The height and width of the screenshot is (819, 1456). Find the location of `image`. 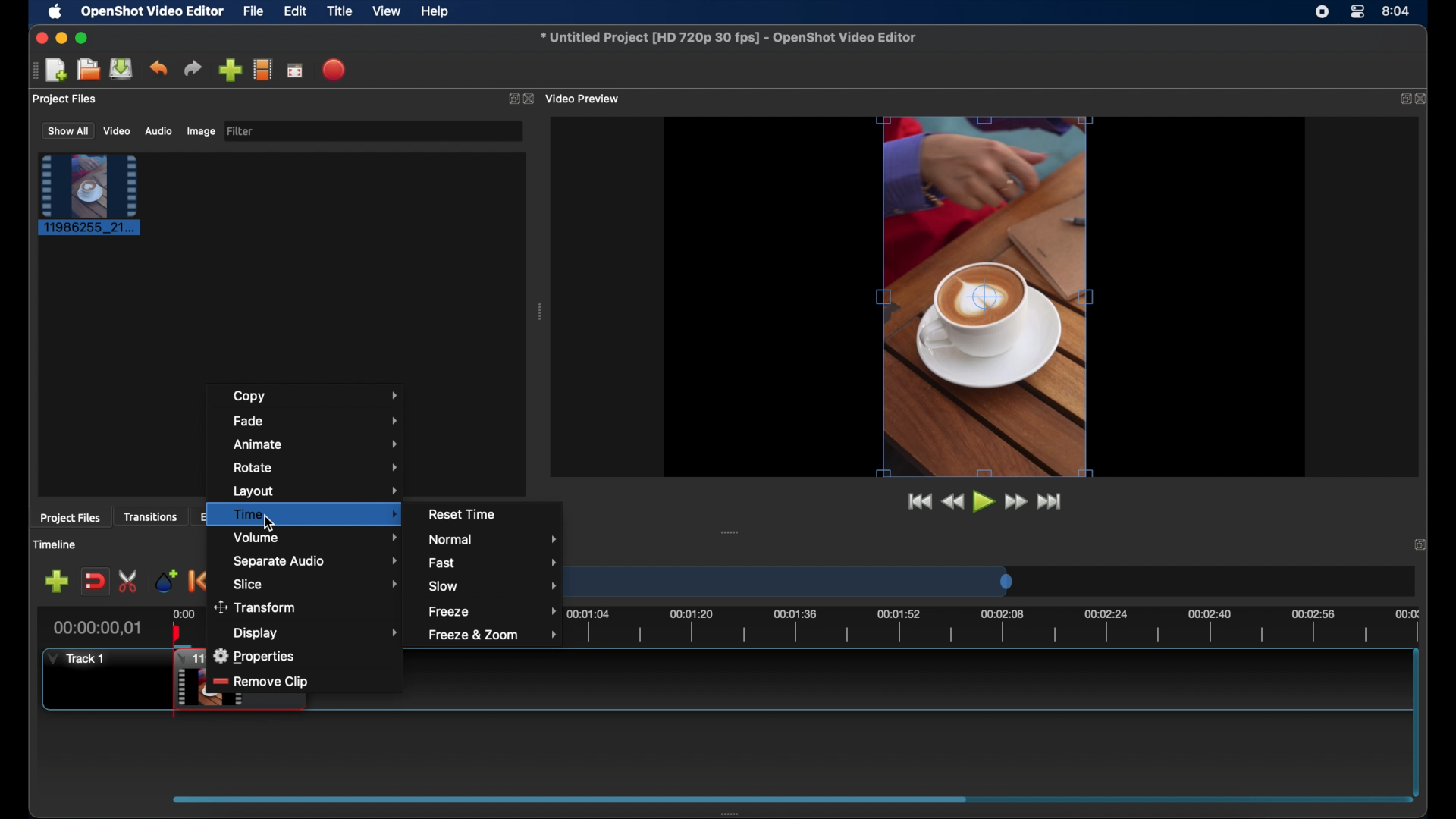

image is located at coordinates (200, 131).